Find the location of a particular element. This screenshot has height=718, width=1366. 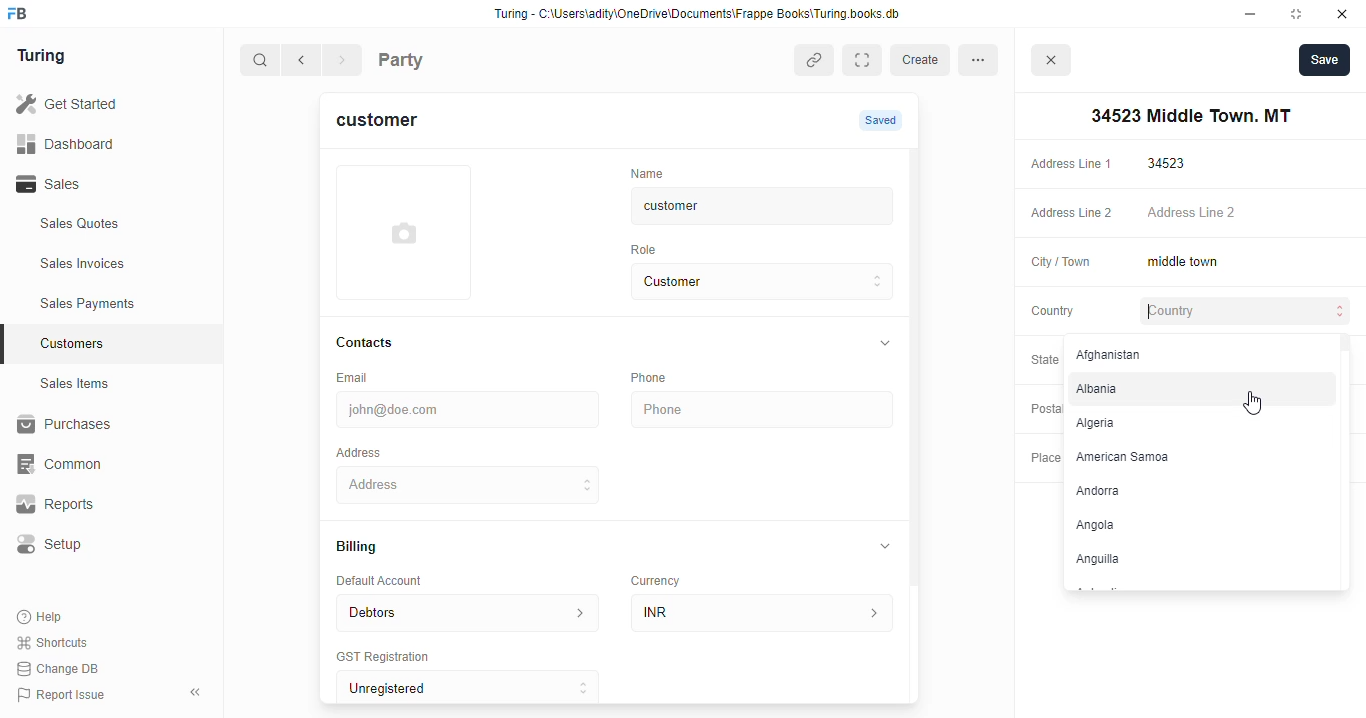

Setup is located at coordinates (101, 544).